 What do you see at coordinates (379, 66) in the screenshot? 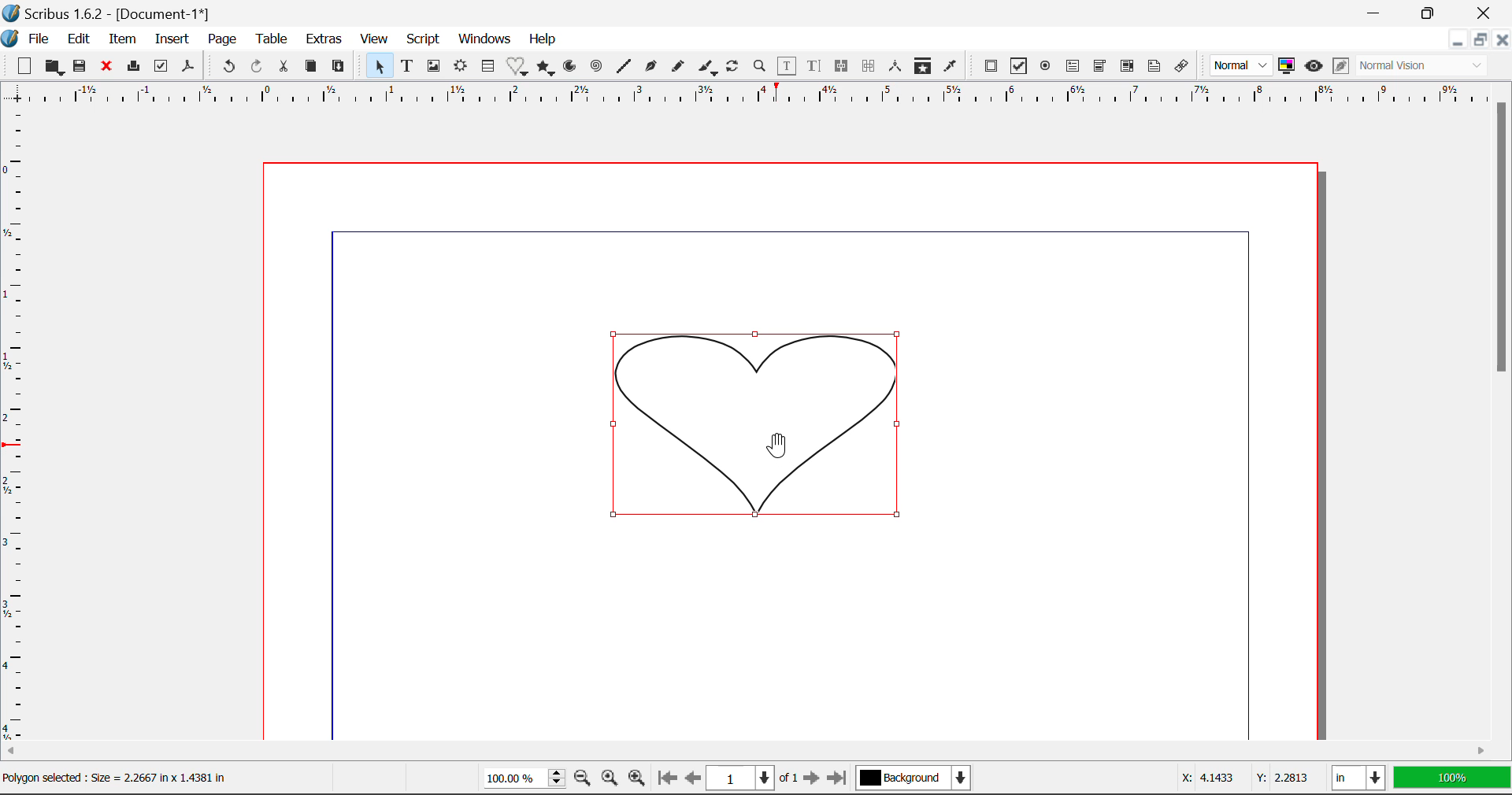
I see `Select` at bounding box center [379, 66].